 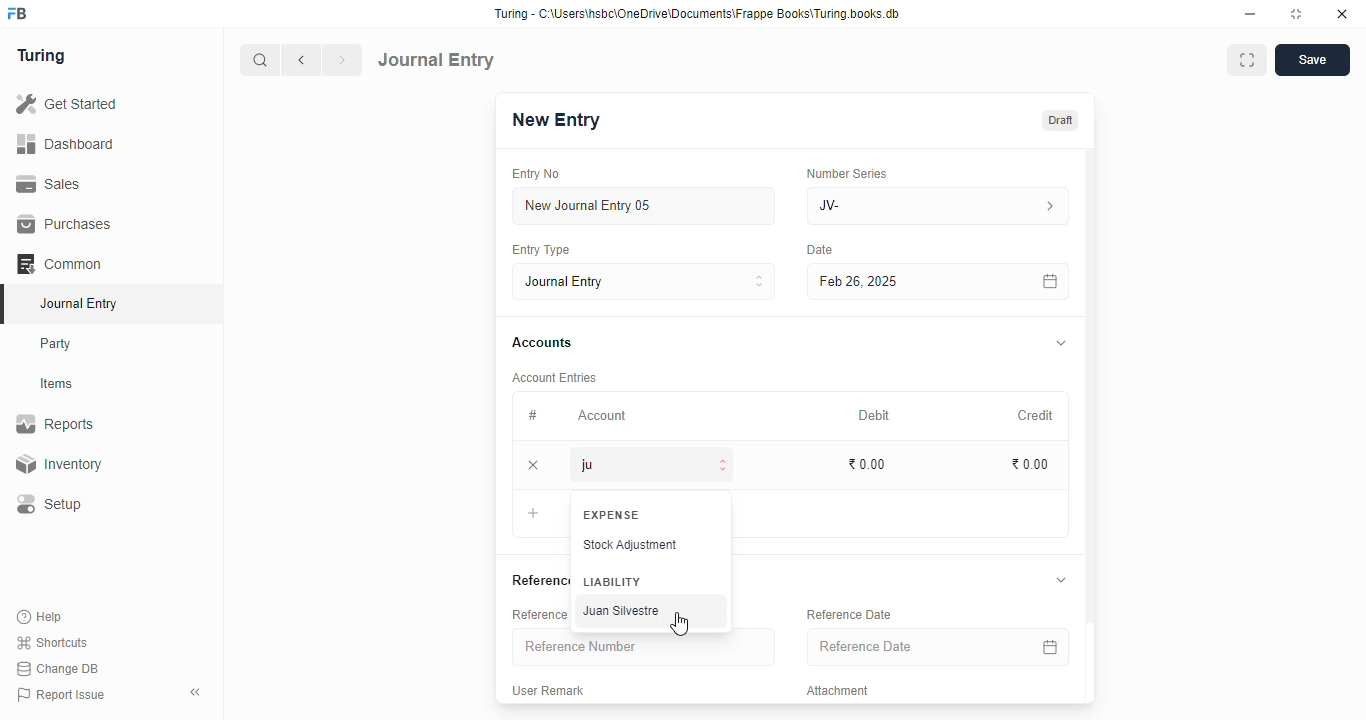 What do you see at coordinates (64, 224) in the screenshot?
I see `purchases` at bounding box center [64, 224].